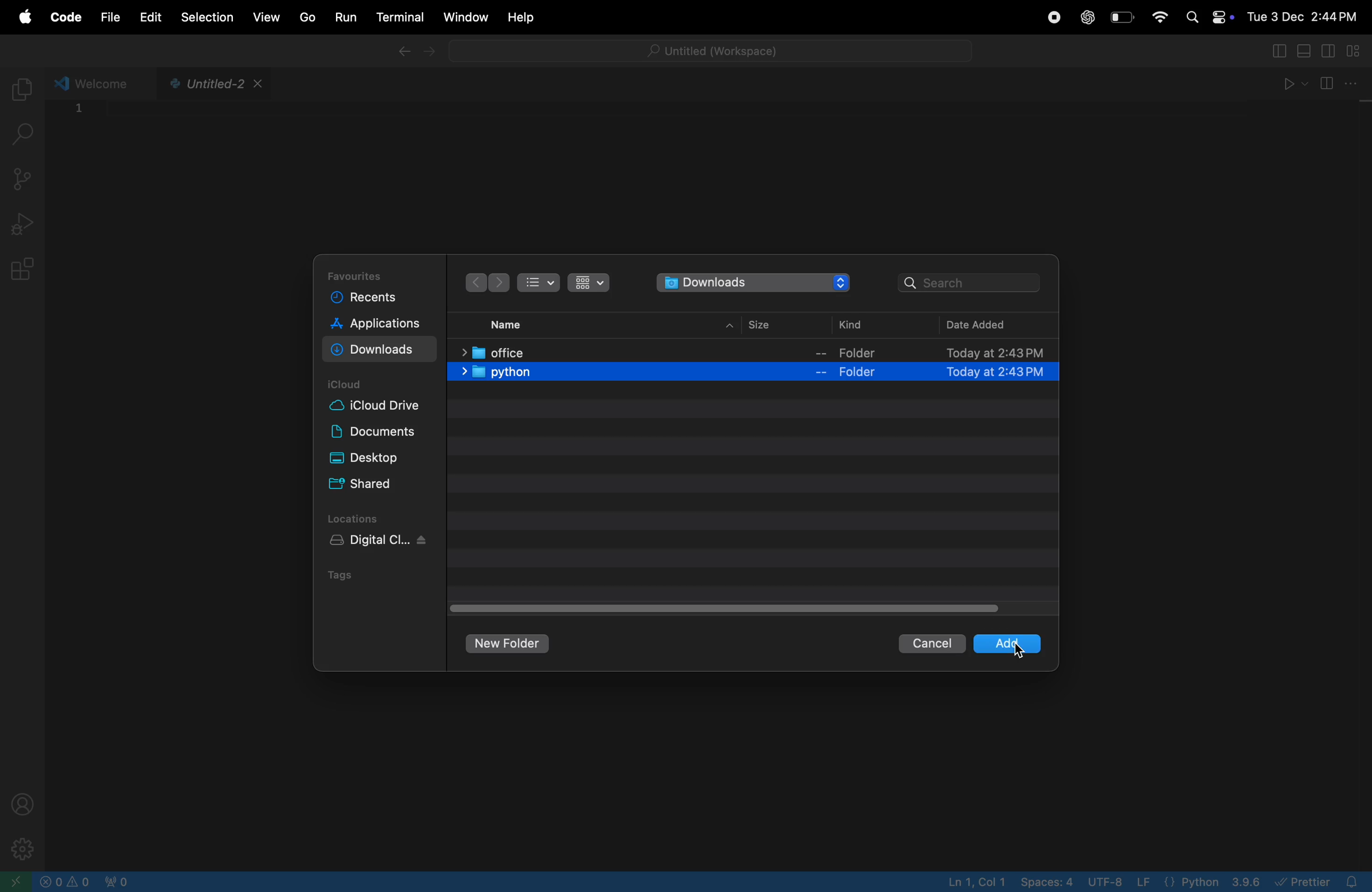 The width and height of the screenshot is (1372, 892). I want to click on split editor, so click(1338, 82).